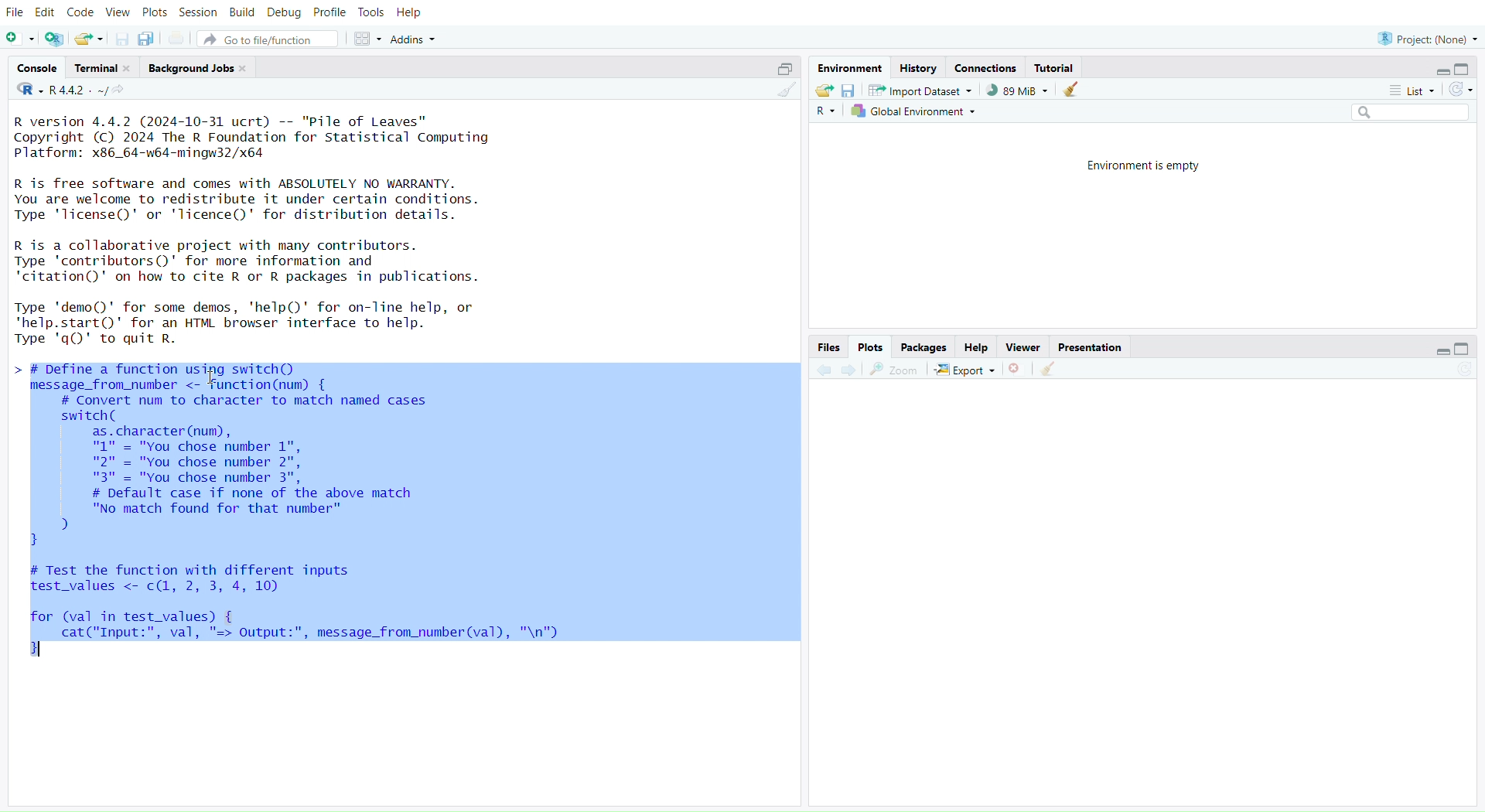  What do you see at coordinates (37, 69) in the screenshot?
I see `Console` at bounding box center [37, 69].